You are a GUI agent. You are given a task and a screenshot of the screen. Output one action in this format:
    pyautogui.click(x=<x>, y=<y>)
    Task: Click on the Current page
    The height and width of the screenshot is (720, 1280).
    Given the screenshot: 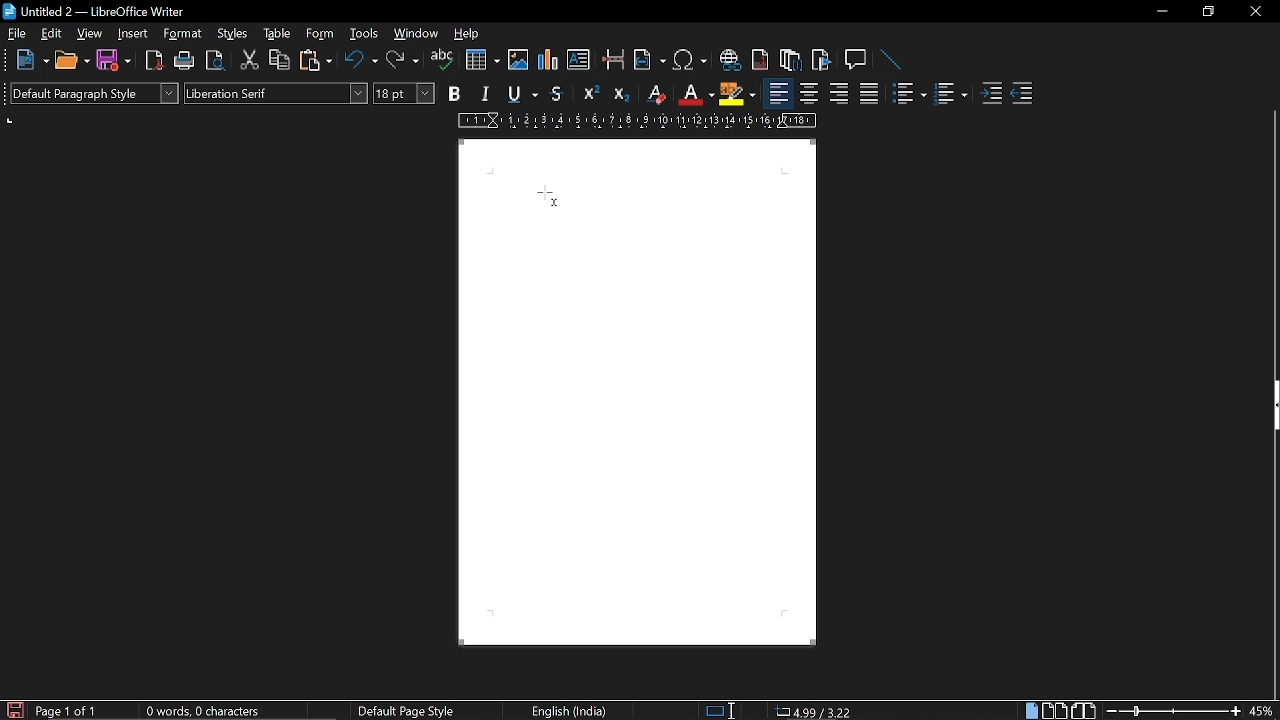 What is the action you would take?
    pyautogui.click(x=637, y=393)
    